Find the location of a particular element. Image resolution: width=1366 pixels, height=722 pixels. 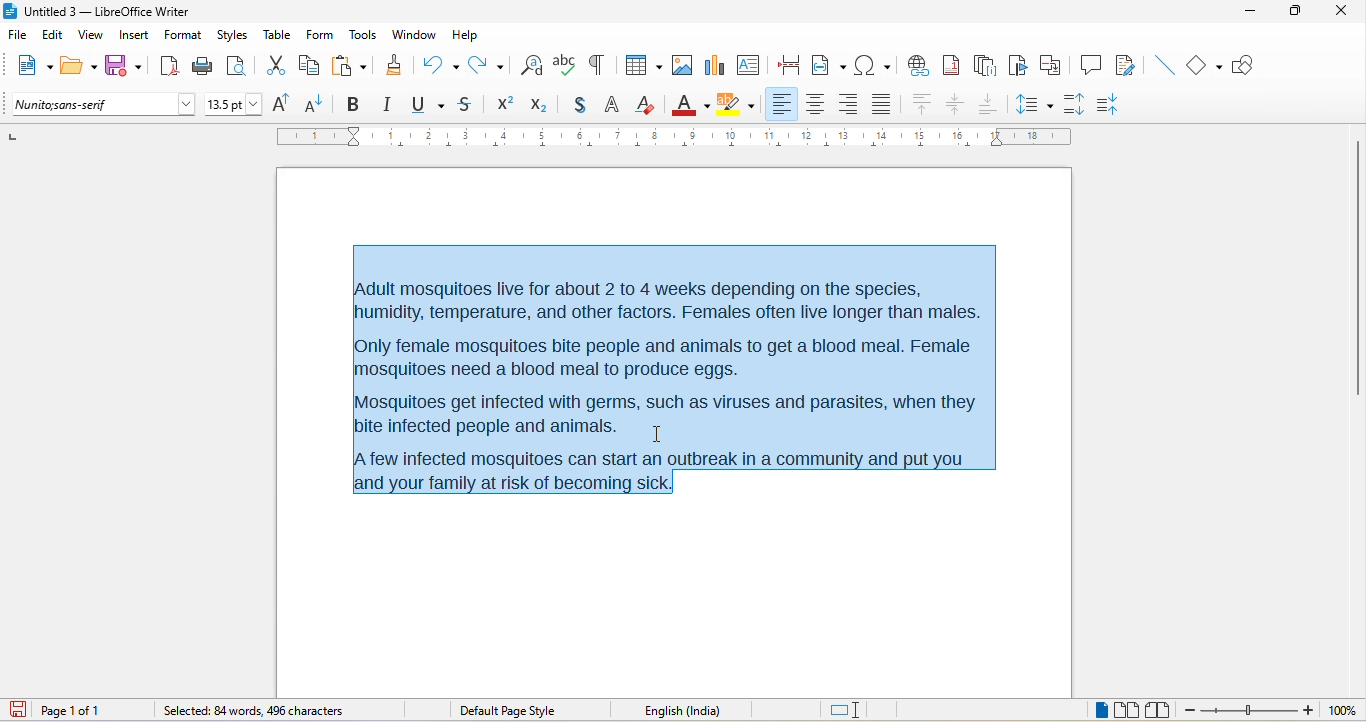

tools is located at coordinates (362, 36).